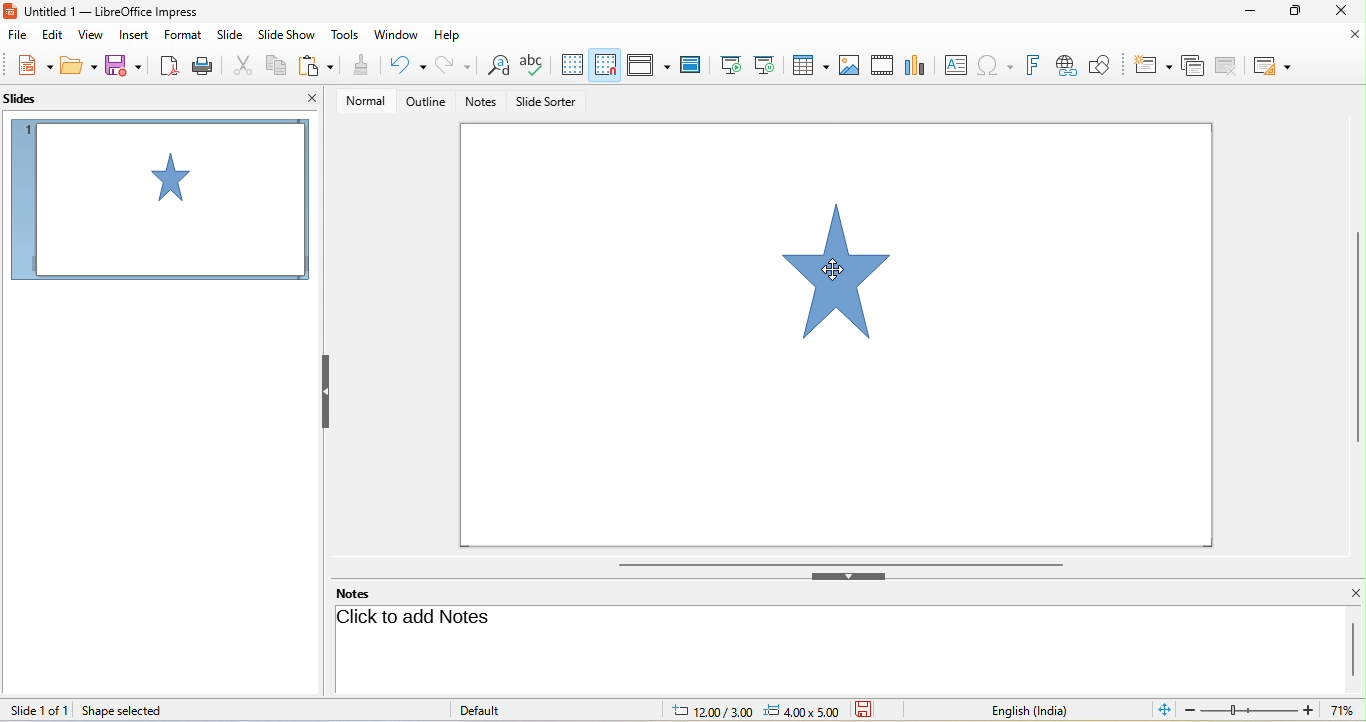 The image size is (1366, 722). Describe the element at coordinates (711, 712) in the screenshot. I see `cursor location: 12.00/3.00` at that location.